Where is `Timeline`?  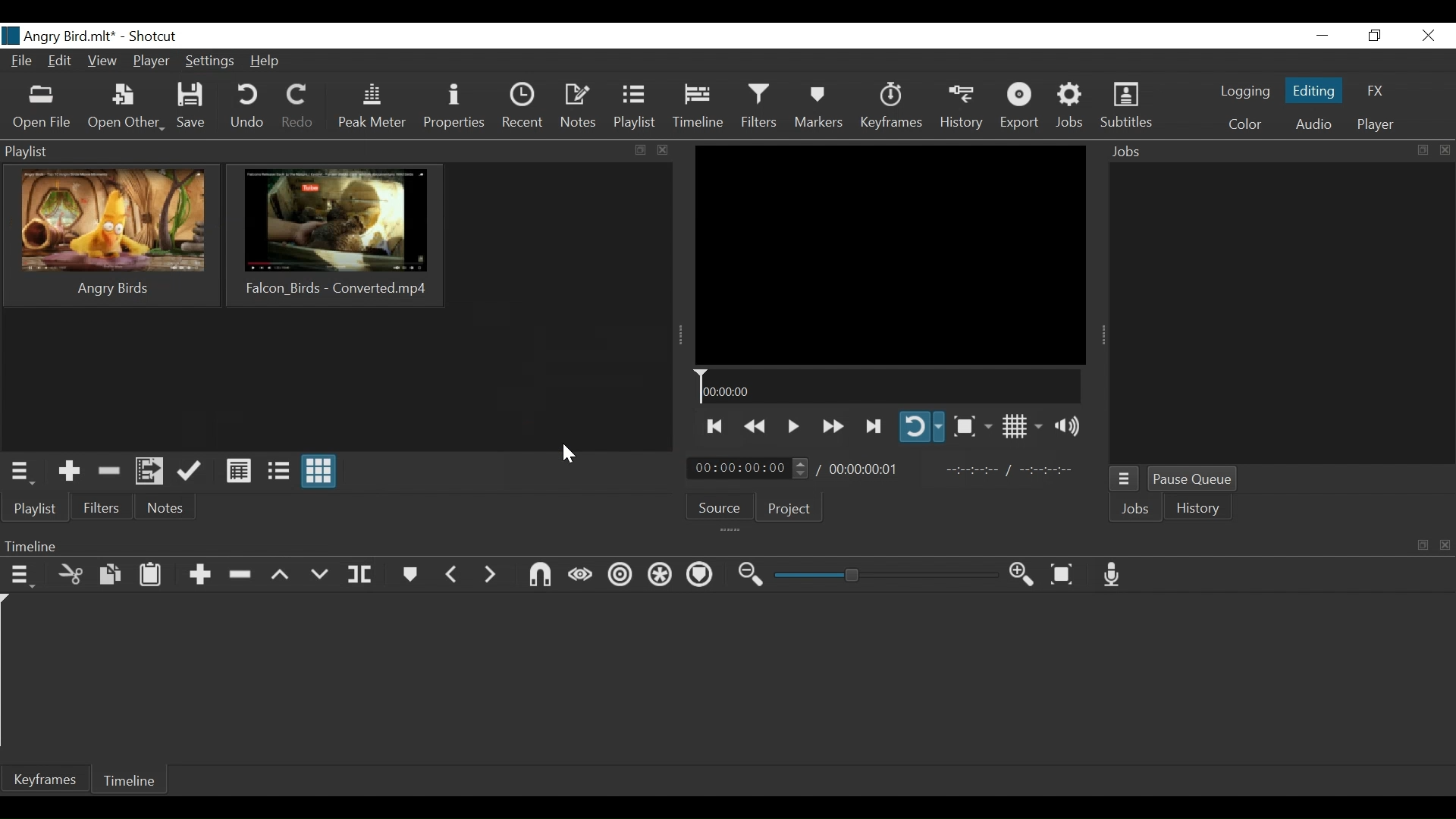
Timeline is located at coordinates (890, 386).